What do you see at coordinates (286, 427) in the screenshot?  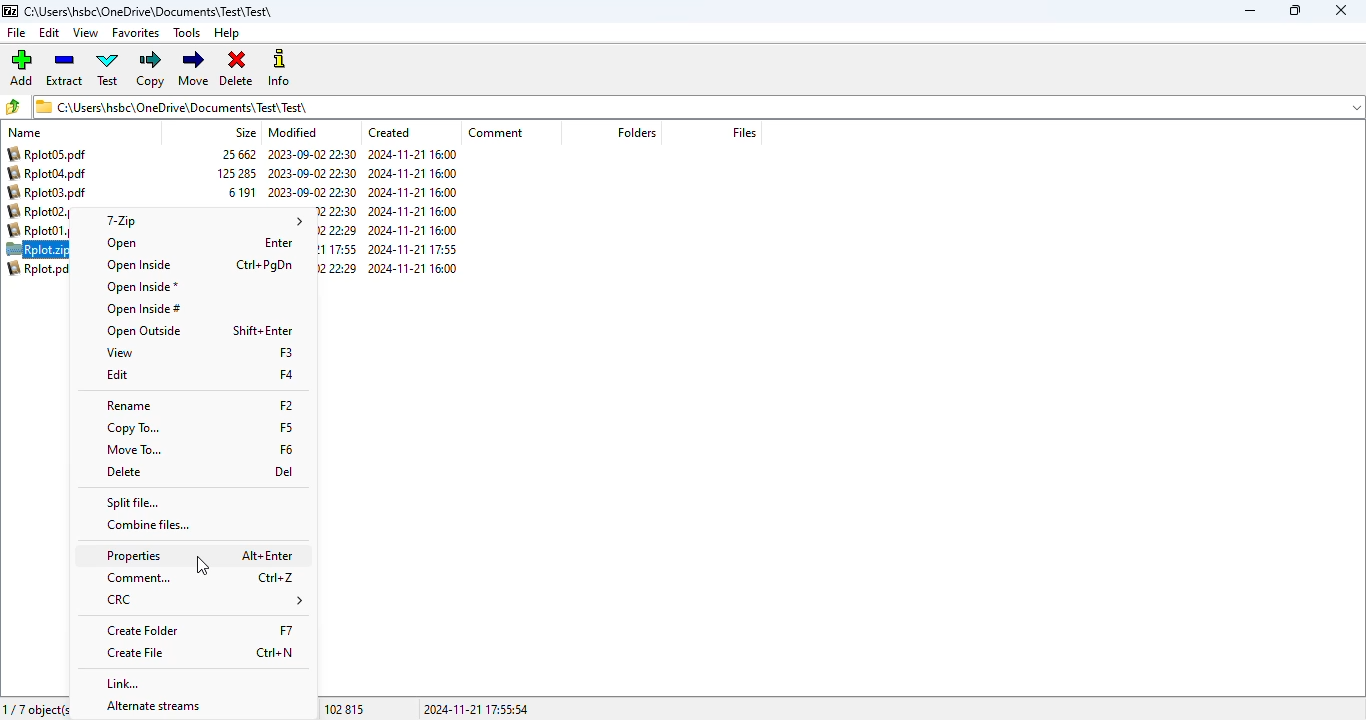 I see `F5` at bounding box center [286, 427].